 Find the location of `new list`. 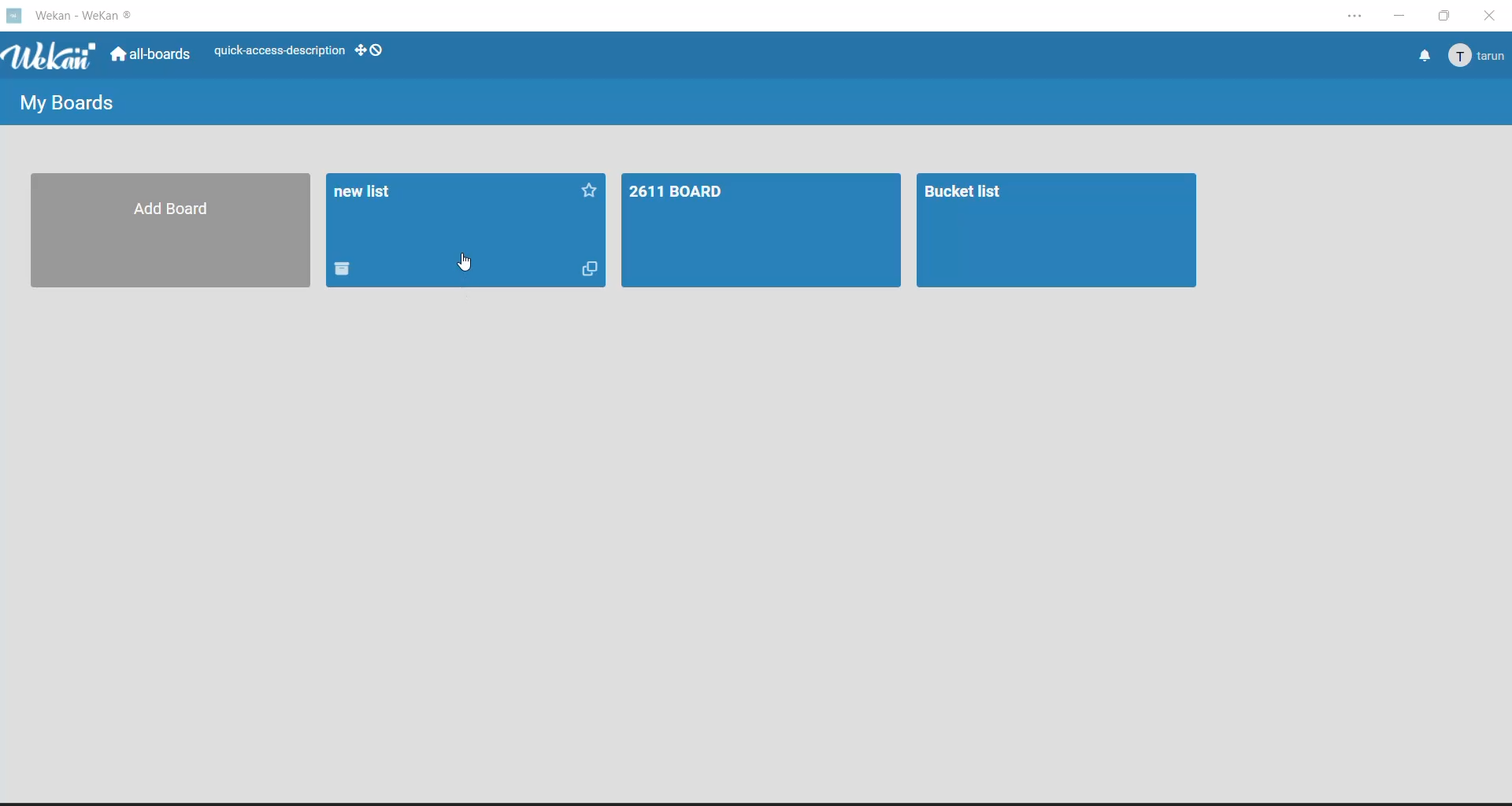

new list is located at coordinates (439, 211).